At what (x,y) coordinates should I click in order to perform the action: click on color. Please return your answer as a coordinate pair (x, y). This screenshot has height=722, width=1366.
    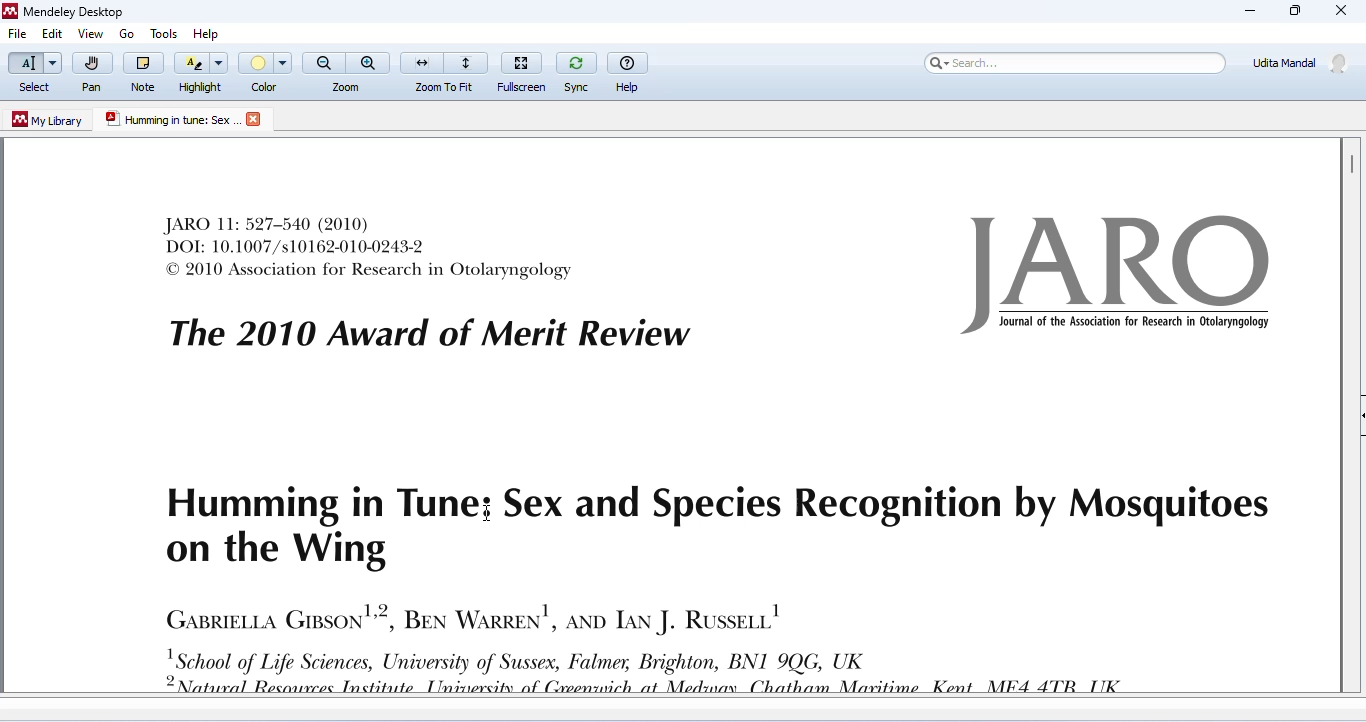
    Looking at the image, I should click on (267, 72).